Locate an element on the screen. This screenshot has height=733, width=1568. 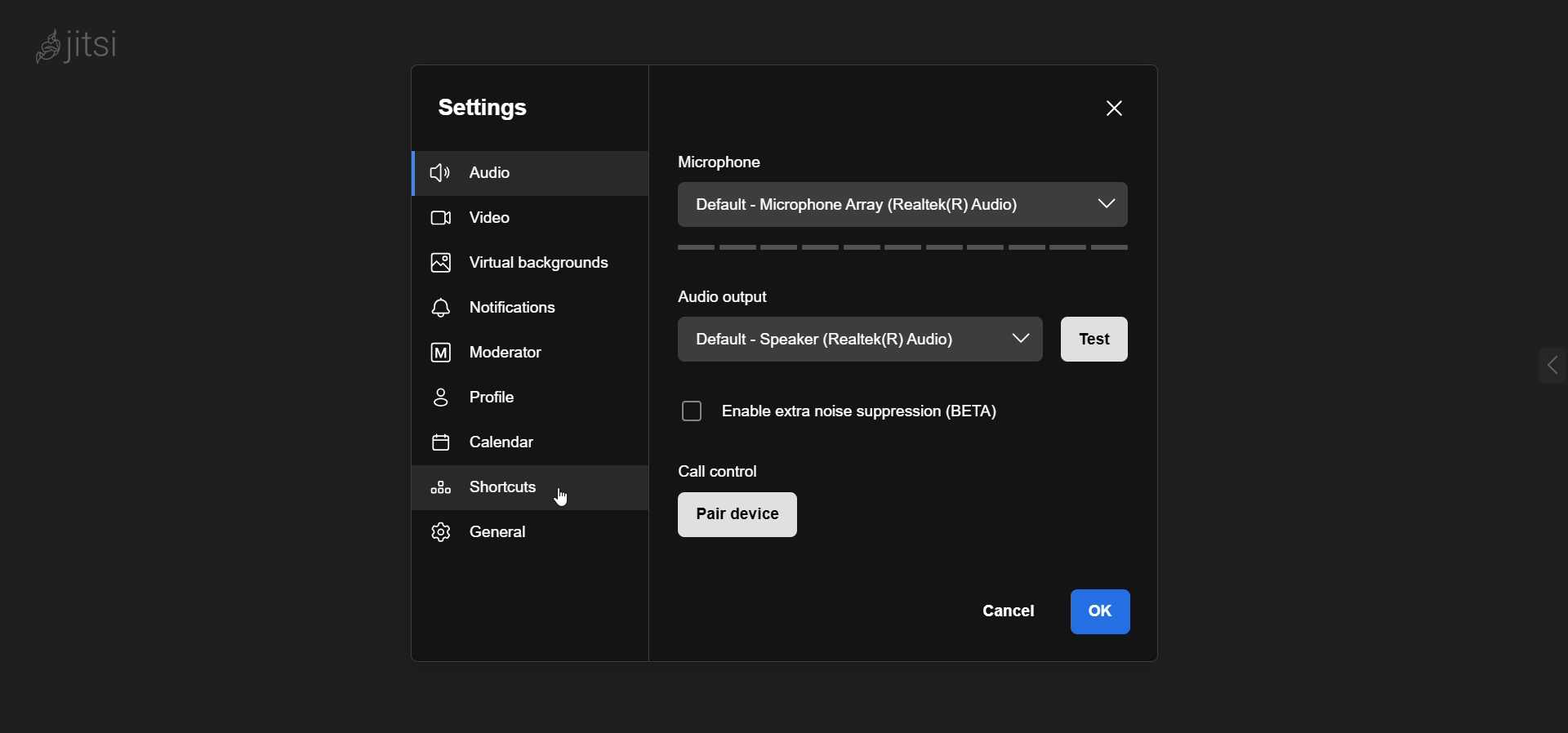
dropdown is located at coordinates (1102, 203).